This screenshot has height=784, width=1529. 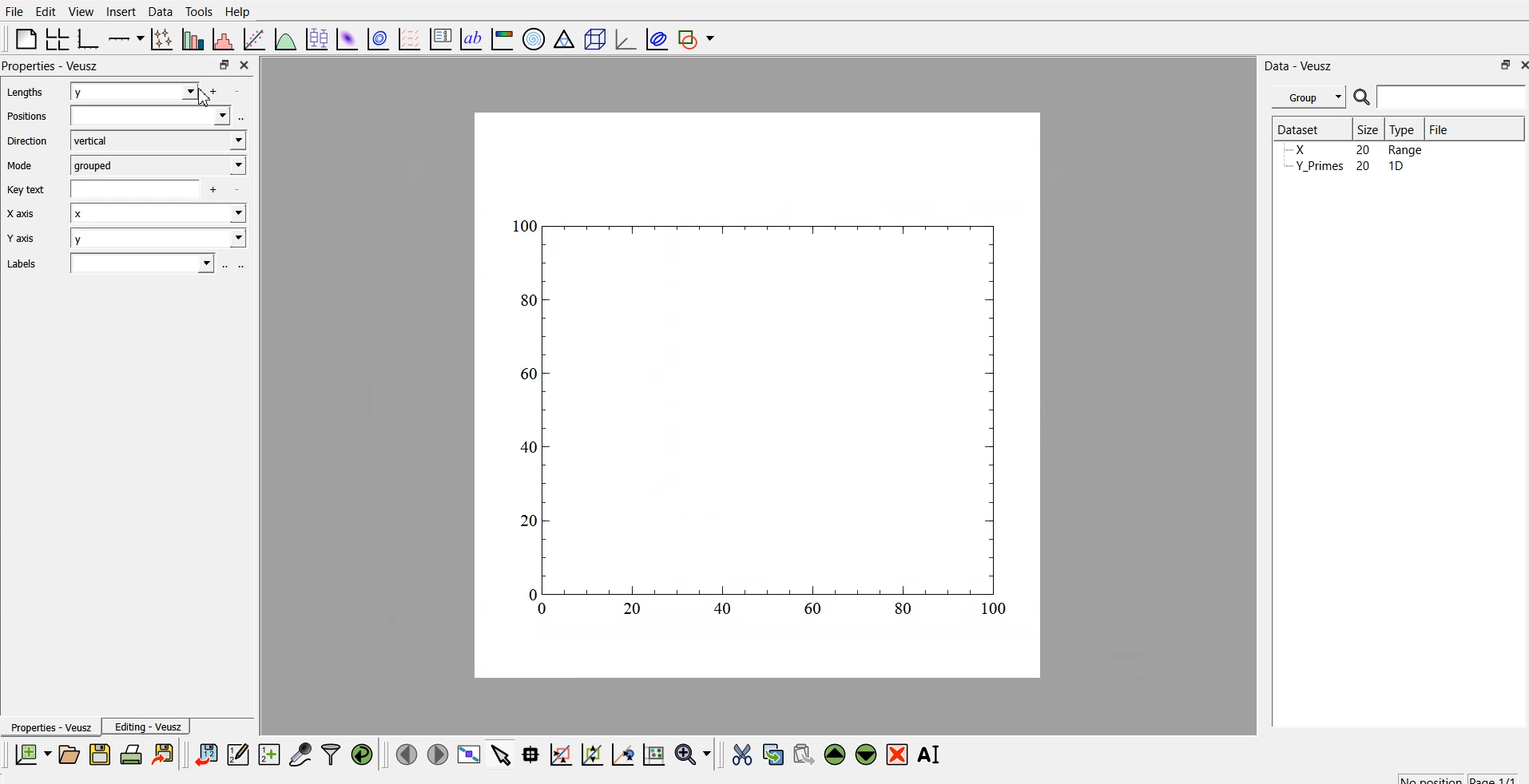 I want to click on create a new dataset, so click(x=269, y=756).